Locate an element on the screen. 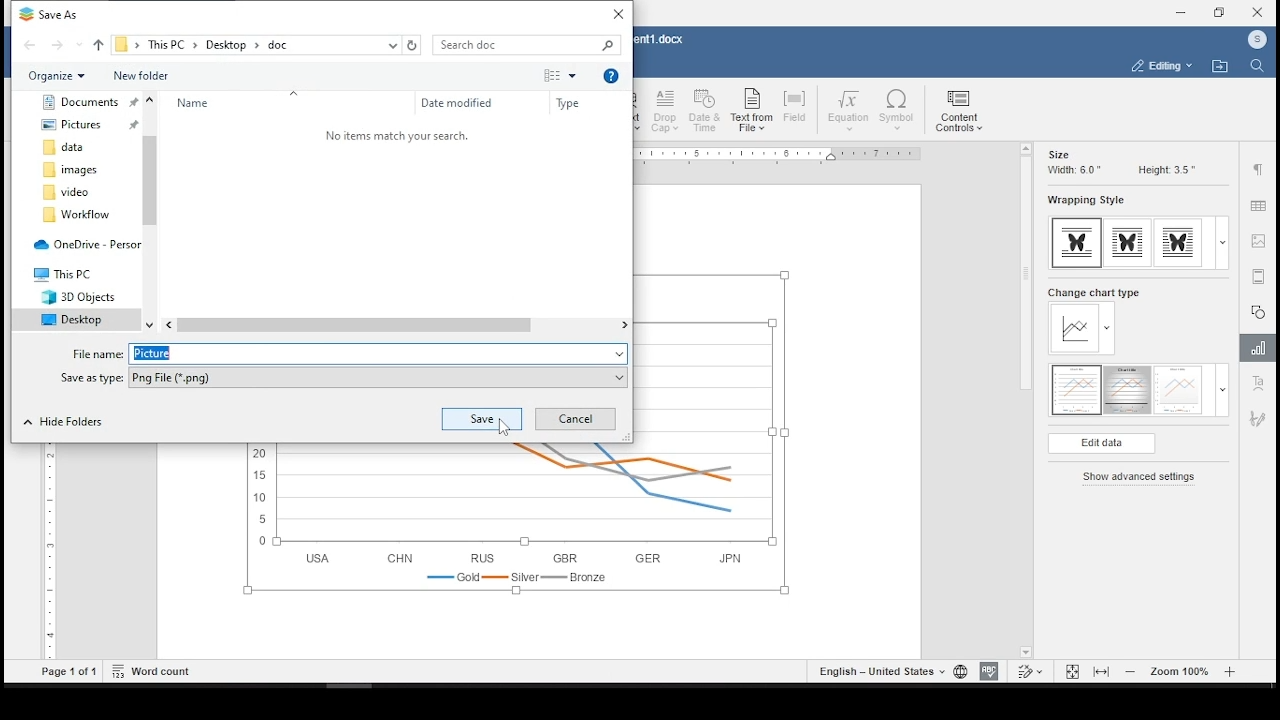 This screenshot has width=1280, height=720. chart style 3 is located at coordinates (1179, 391).